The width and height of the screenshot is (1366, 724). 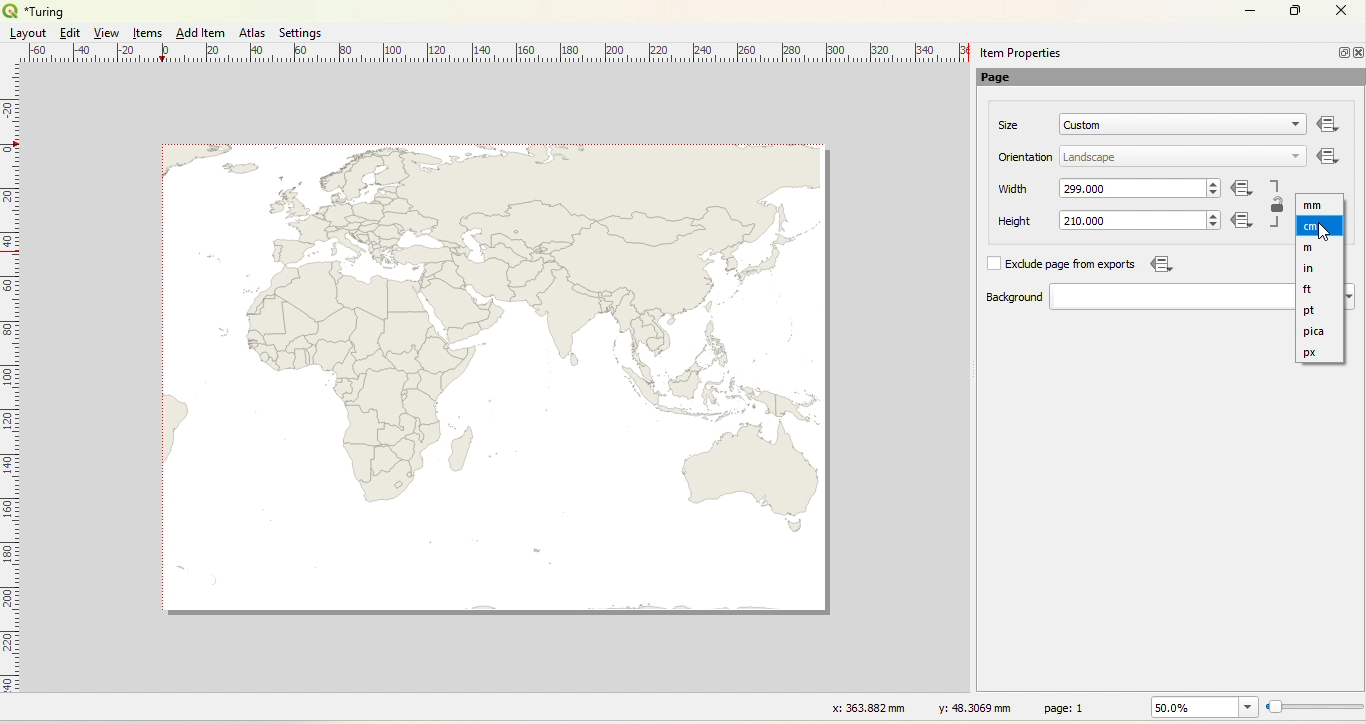 What do you see at coordinates (1083, 125) in the screenshot?
I see `custom` at bounding box center [1083, 125].